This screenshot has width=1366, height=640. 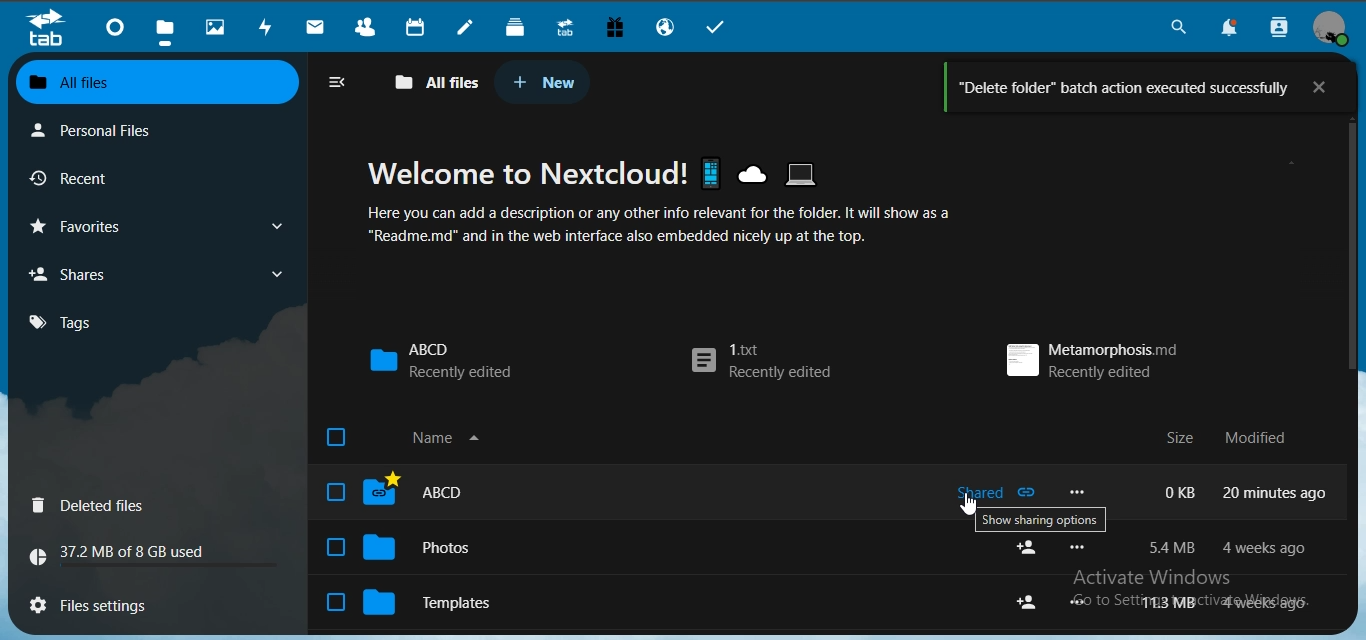 What do you see at coordinates (490, 495) in the screenshot?
I see `ABCD` at bounding box center [490, 495].